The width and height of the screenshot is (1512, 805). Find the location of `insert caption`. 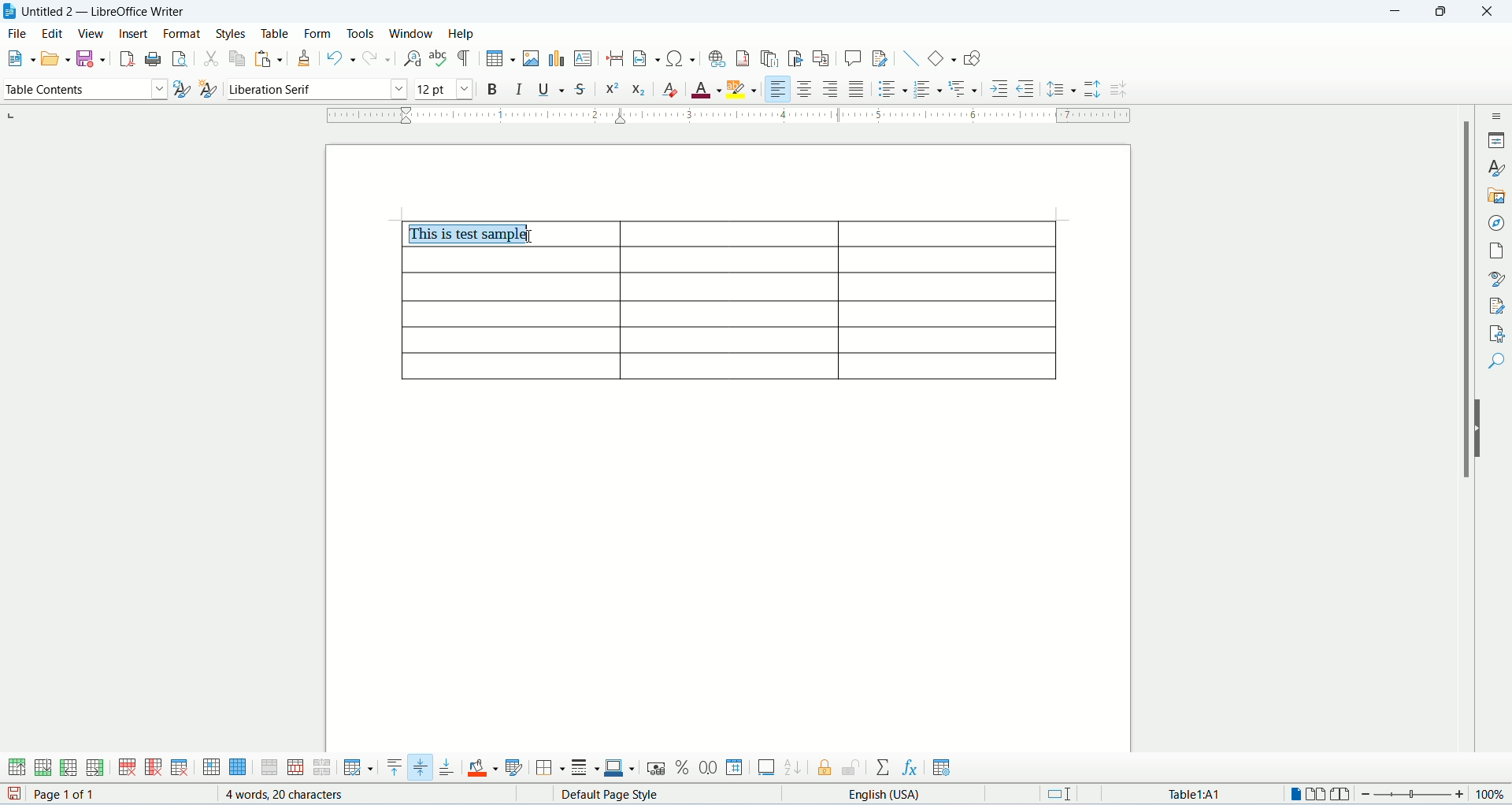

insert caption is located at coordinates (766, 769).